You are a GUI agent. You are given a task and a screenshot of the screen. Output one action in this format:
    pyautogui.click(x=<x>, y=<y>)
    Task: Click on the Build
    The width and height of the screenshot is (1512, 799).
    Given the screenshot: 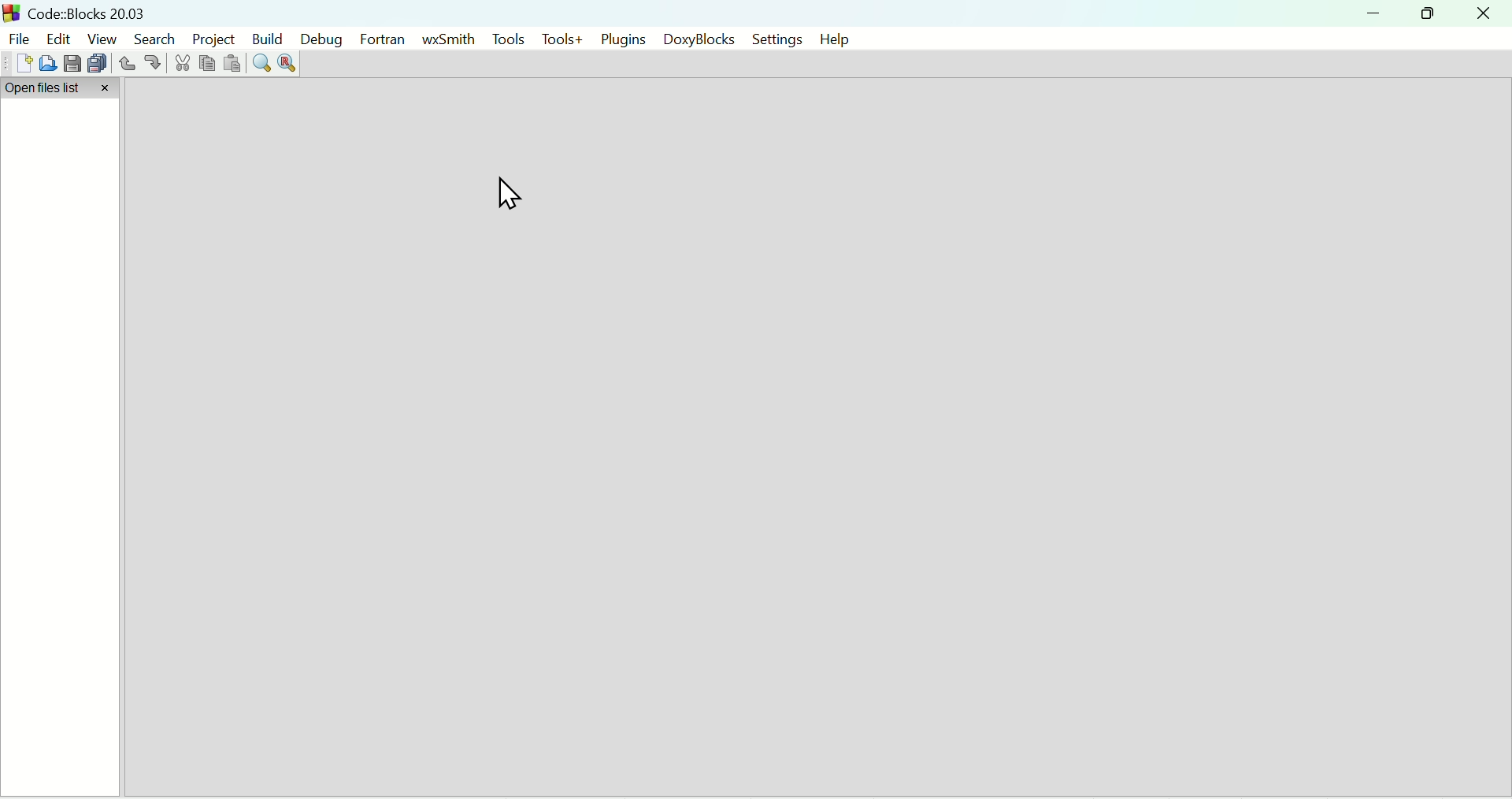 What is the action you would take?
    pyautogui.click(x=264, y=40)
    